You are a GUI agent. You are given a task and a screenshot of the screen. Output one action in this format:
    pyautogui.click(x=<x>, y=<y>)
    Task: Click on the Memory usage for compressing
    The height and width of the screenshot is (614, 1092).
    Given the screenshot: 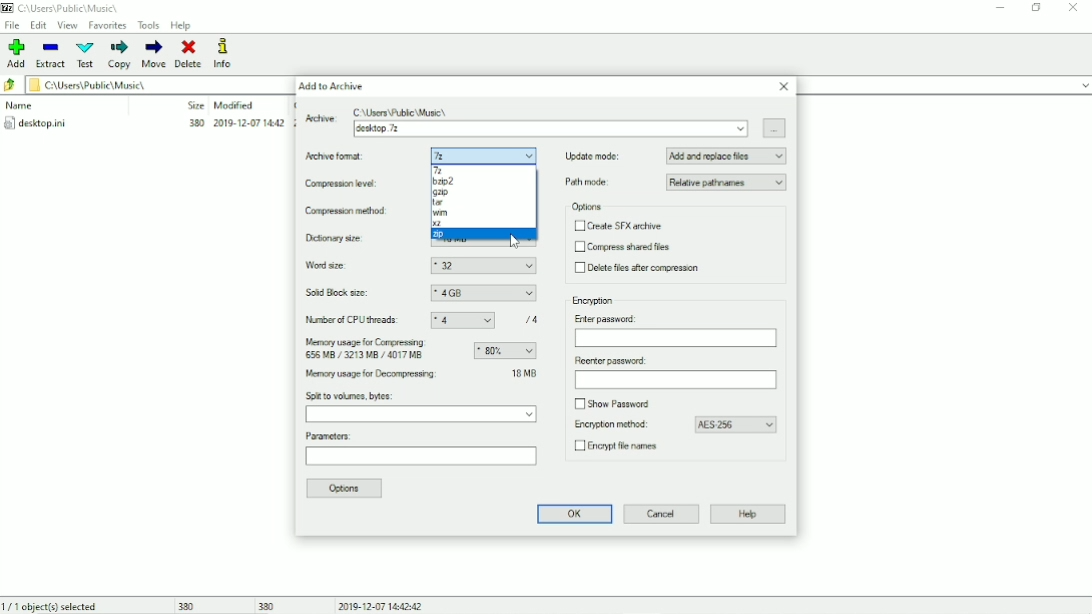 What is the action you would take?
    pyautogui.click(x=420, y=349)
    